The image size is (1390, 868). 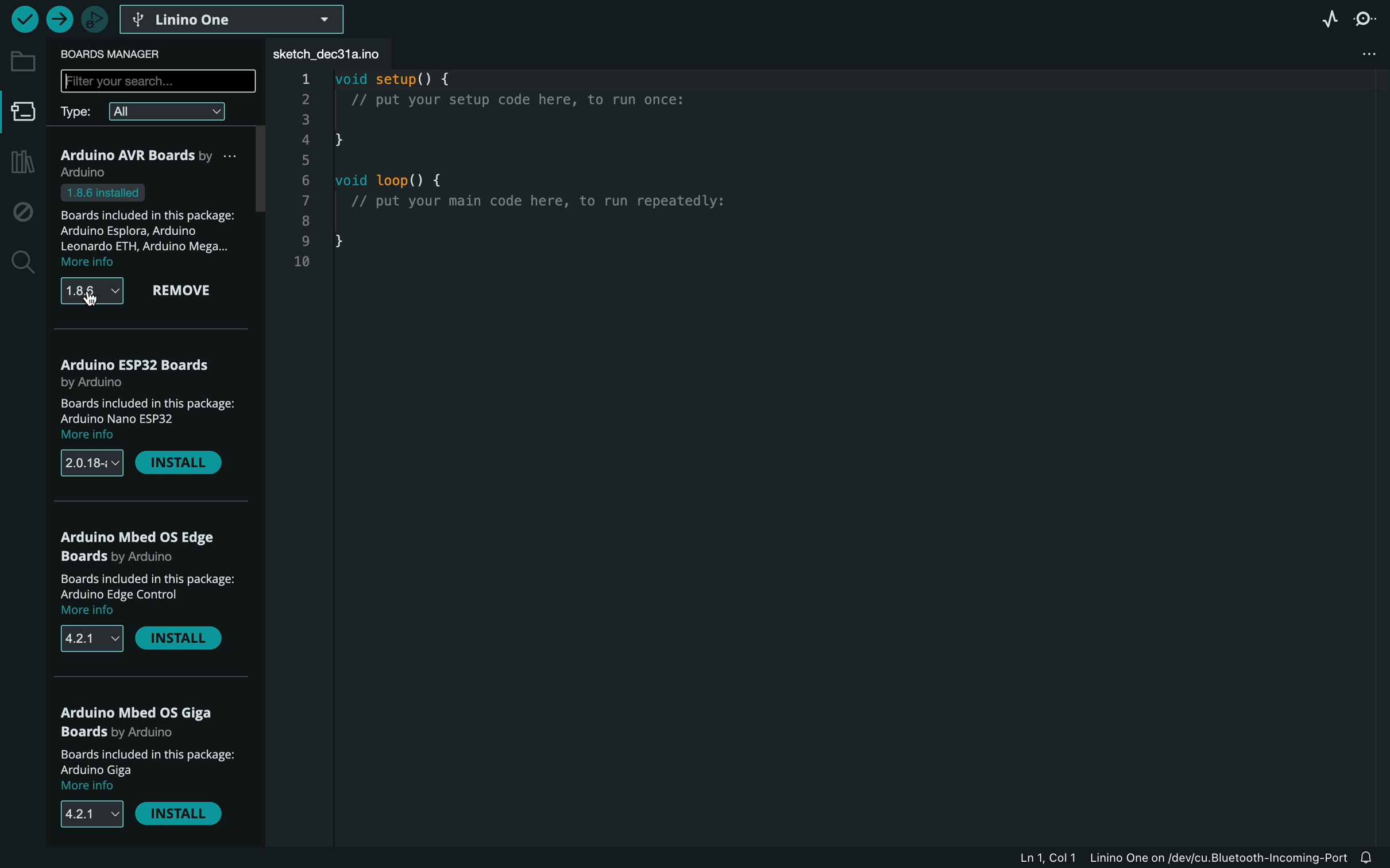 I want to click on 1, so click(x=304, y=79).